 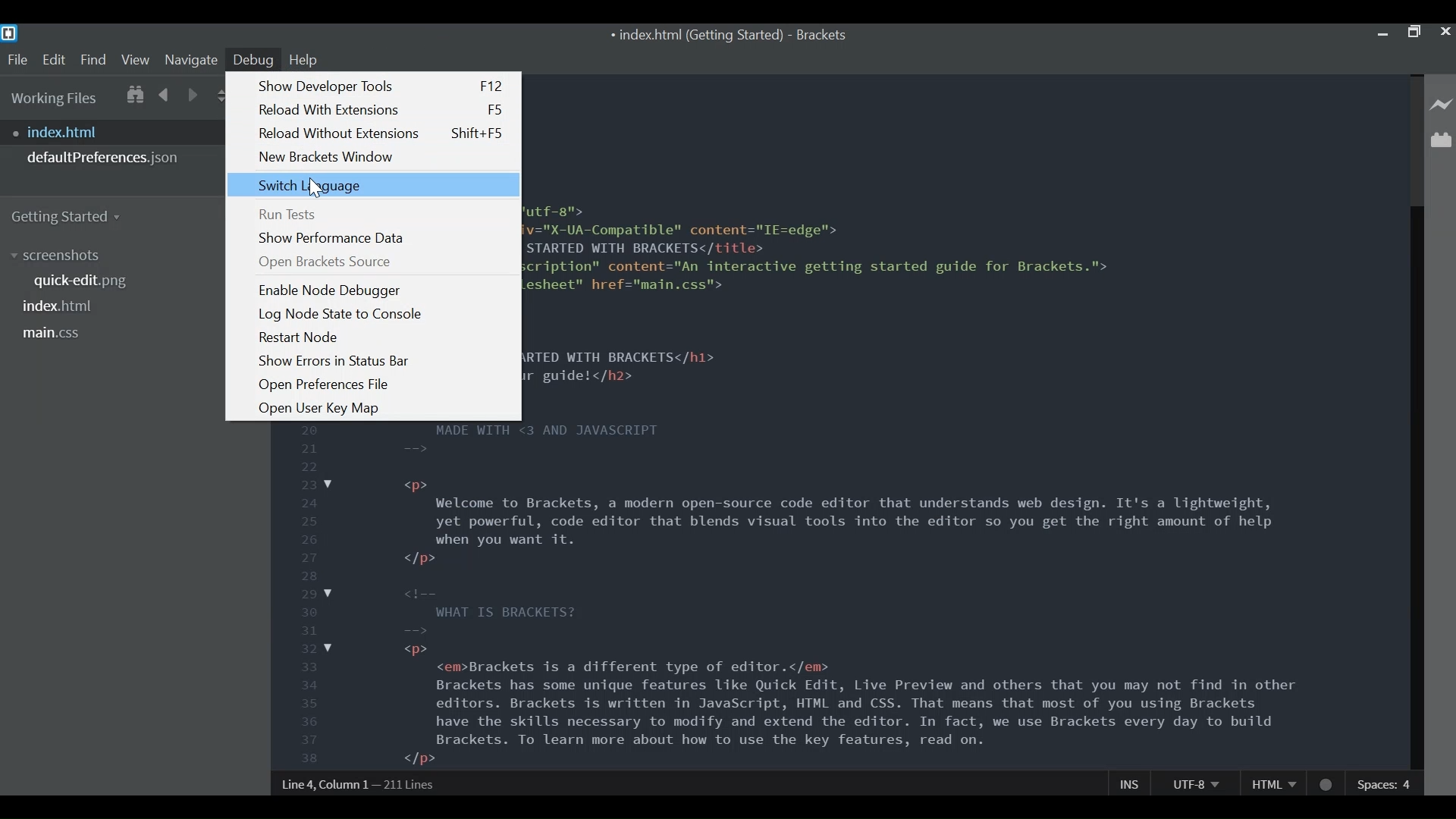 What do you see at coordinates (60, 306) in the screenshot?
I see `index.html` at bounding box center [60, 306].